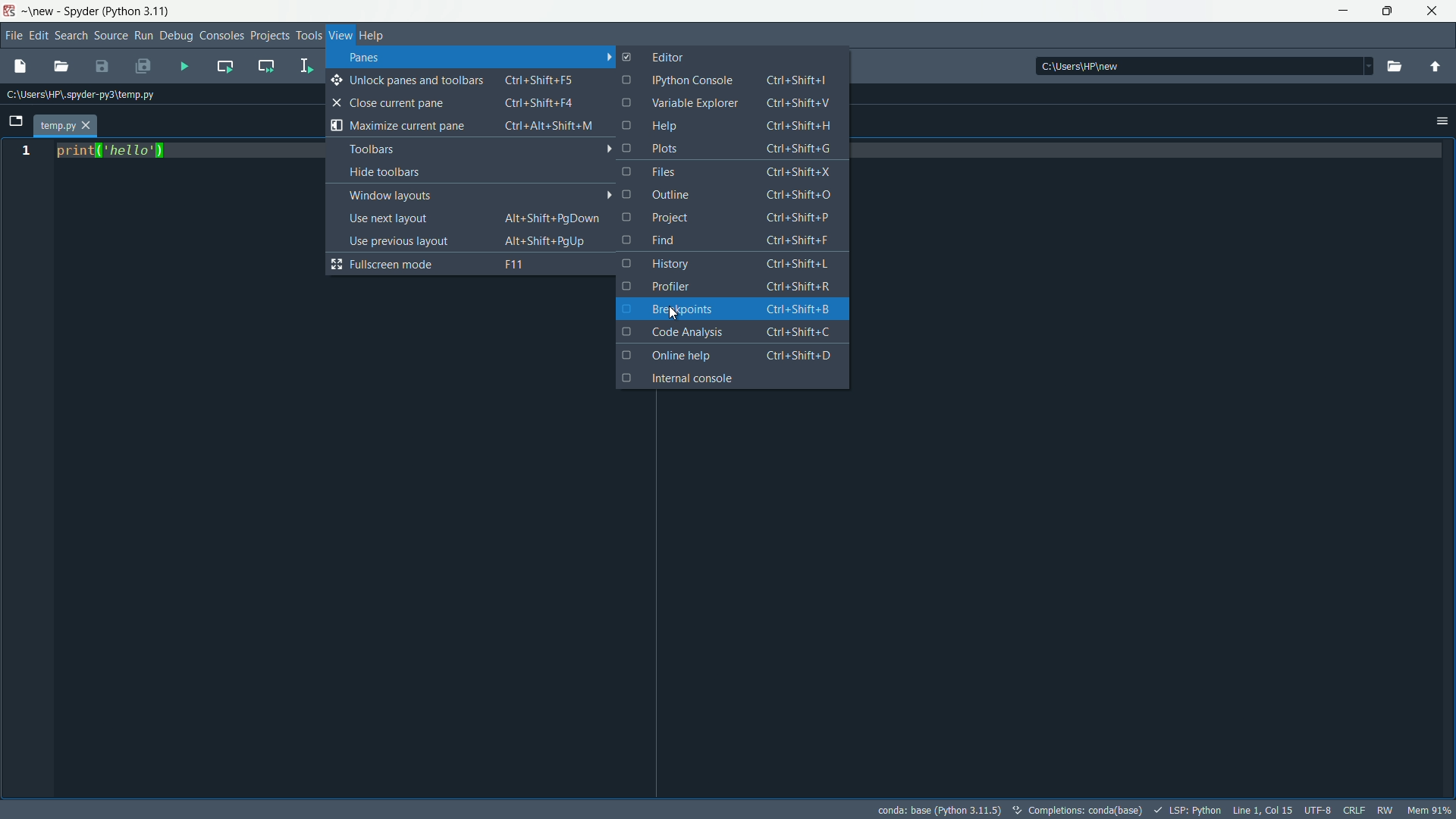  Describe the element at coordinates (1436, 11) in the screenshot. I see `close app` at that location.